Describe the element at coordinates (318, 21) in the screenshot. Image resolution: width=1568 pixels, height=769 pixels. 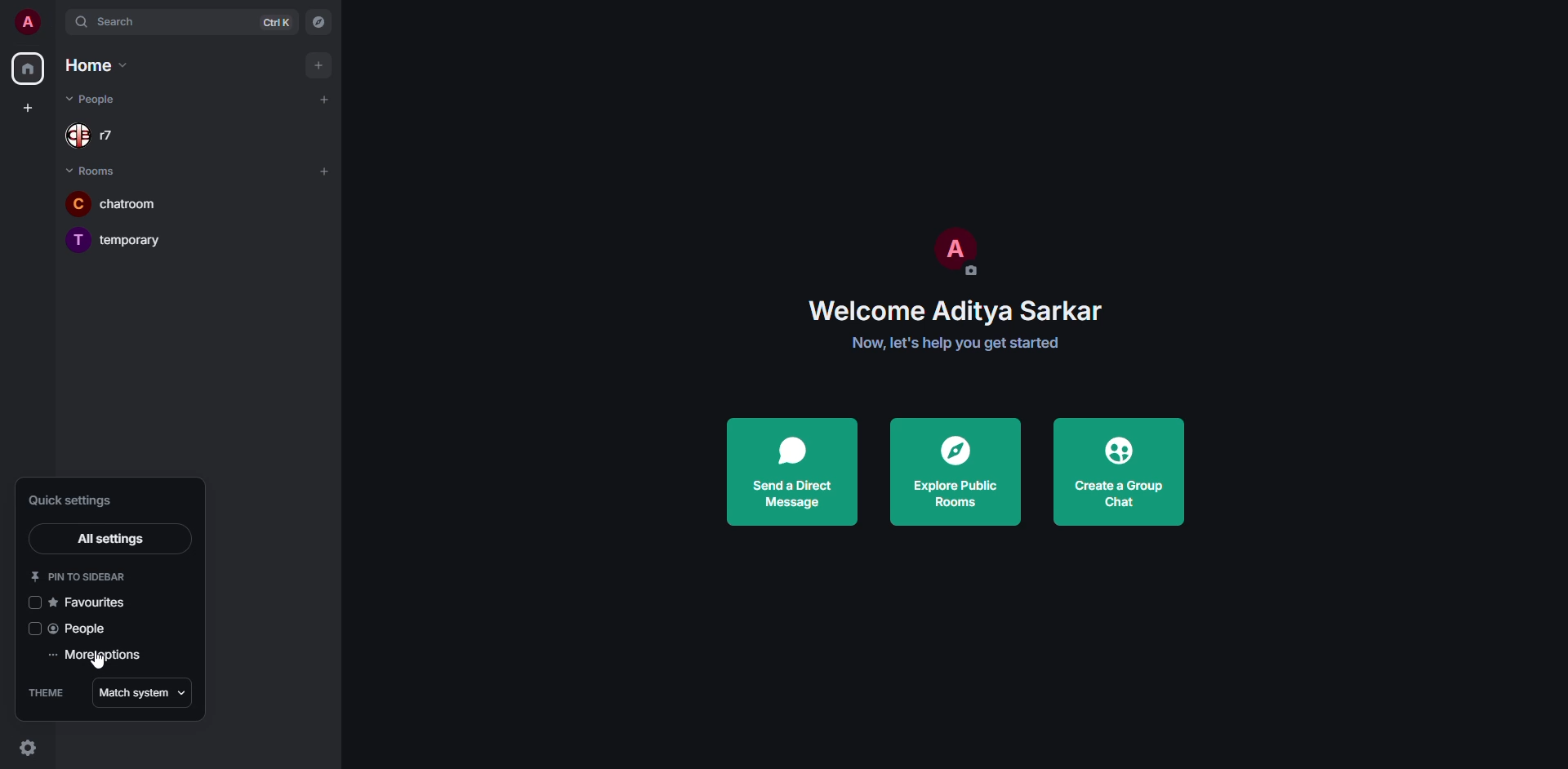
I see `navigator` at that location.